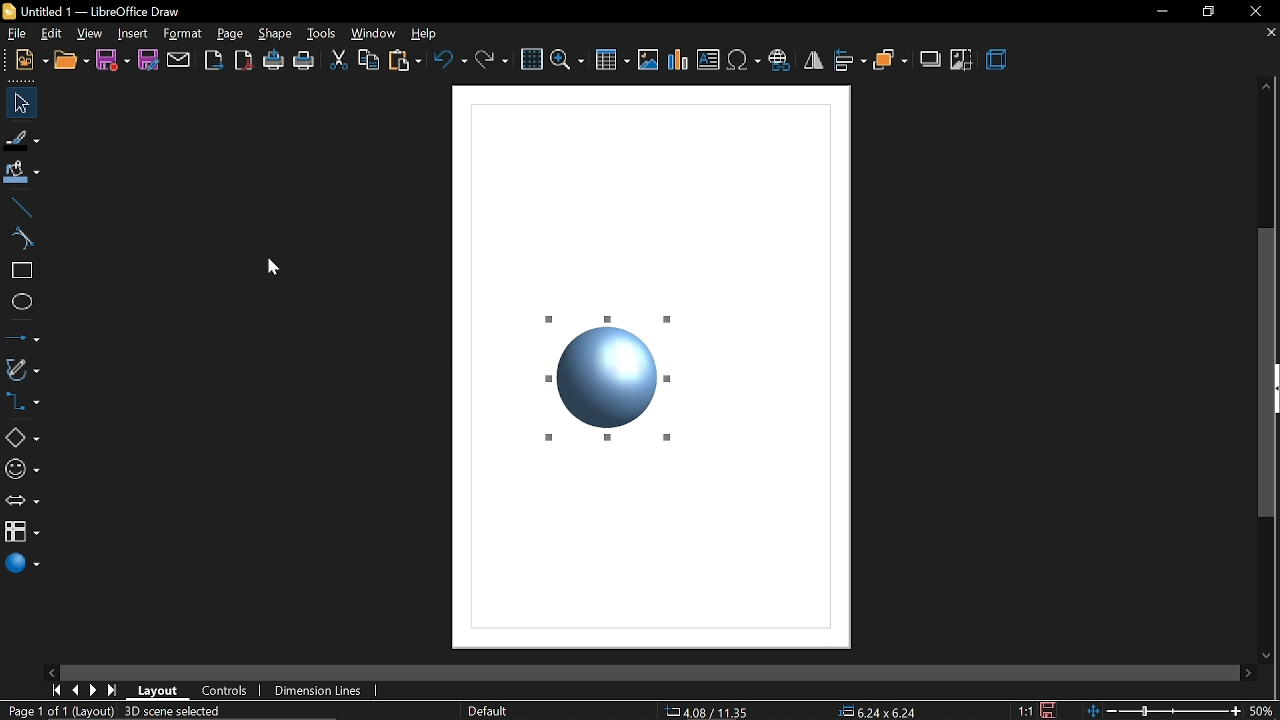 This screenshot has width=1280, height=720. What do you see at coordinates (494, 711) in the screenshot?
I see `page style` at bounding box center [494, 711].